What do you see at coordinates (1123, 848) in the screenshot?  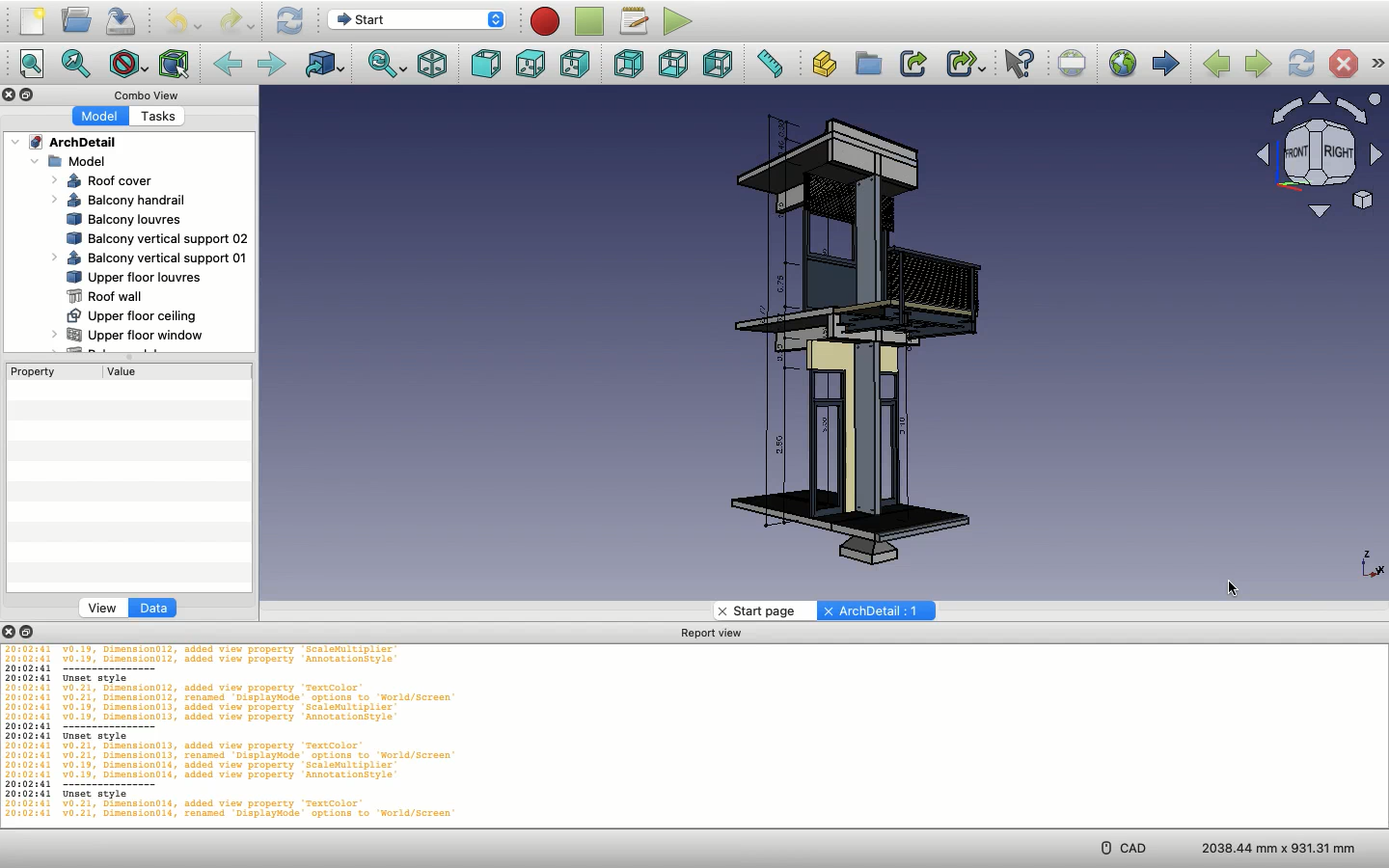 I see `CAD menu` at bounding box center [1123, 848].